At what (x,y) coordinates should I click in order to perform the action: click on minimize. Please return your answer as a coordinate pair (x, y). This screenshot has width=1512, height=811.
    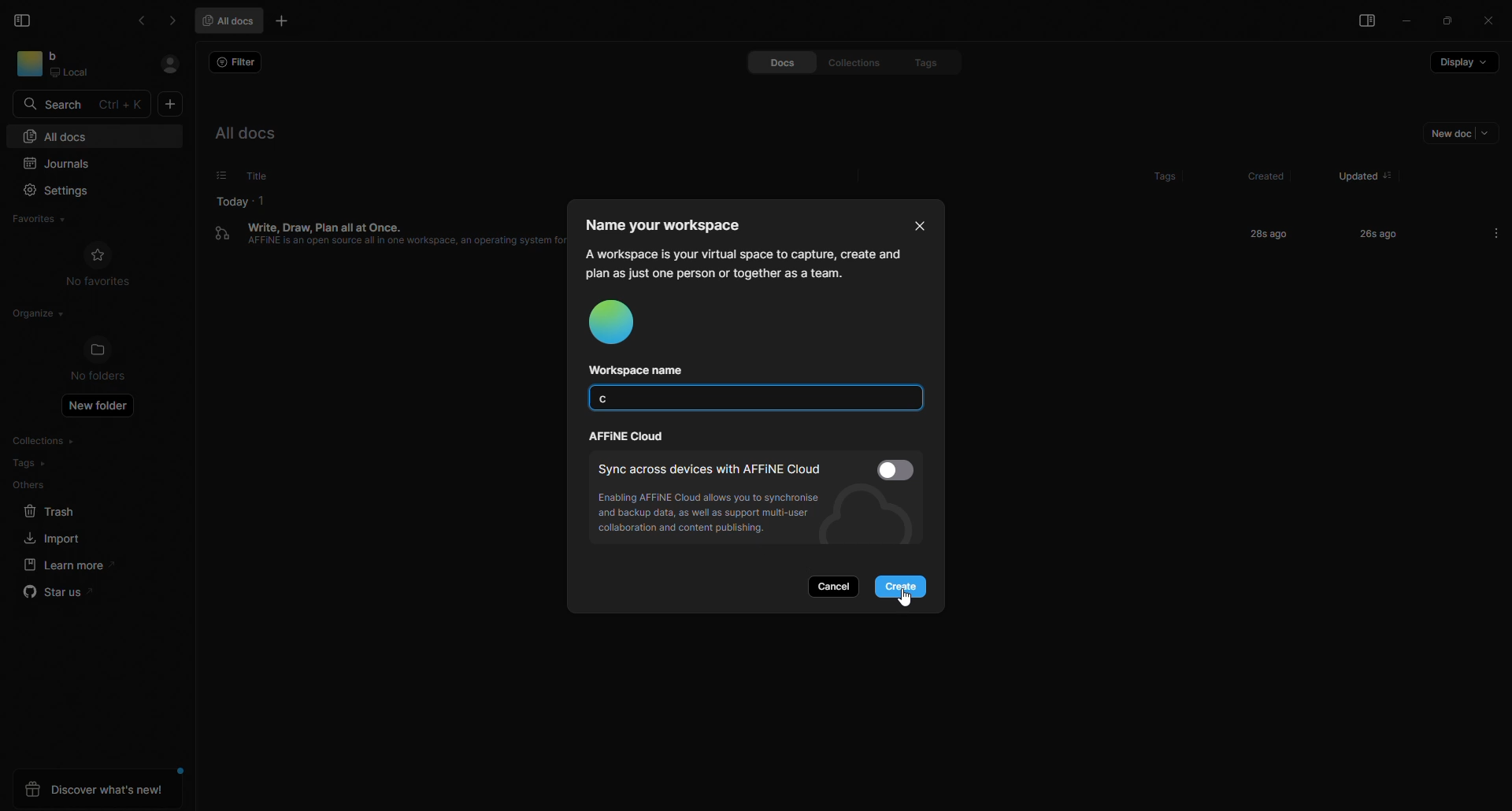
    Looking at the image, I should click on (1409, 23).